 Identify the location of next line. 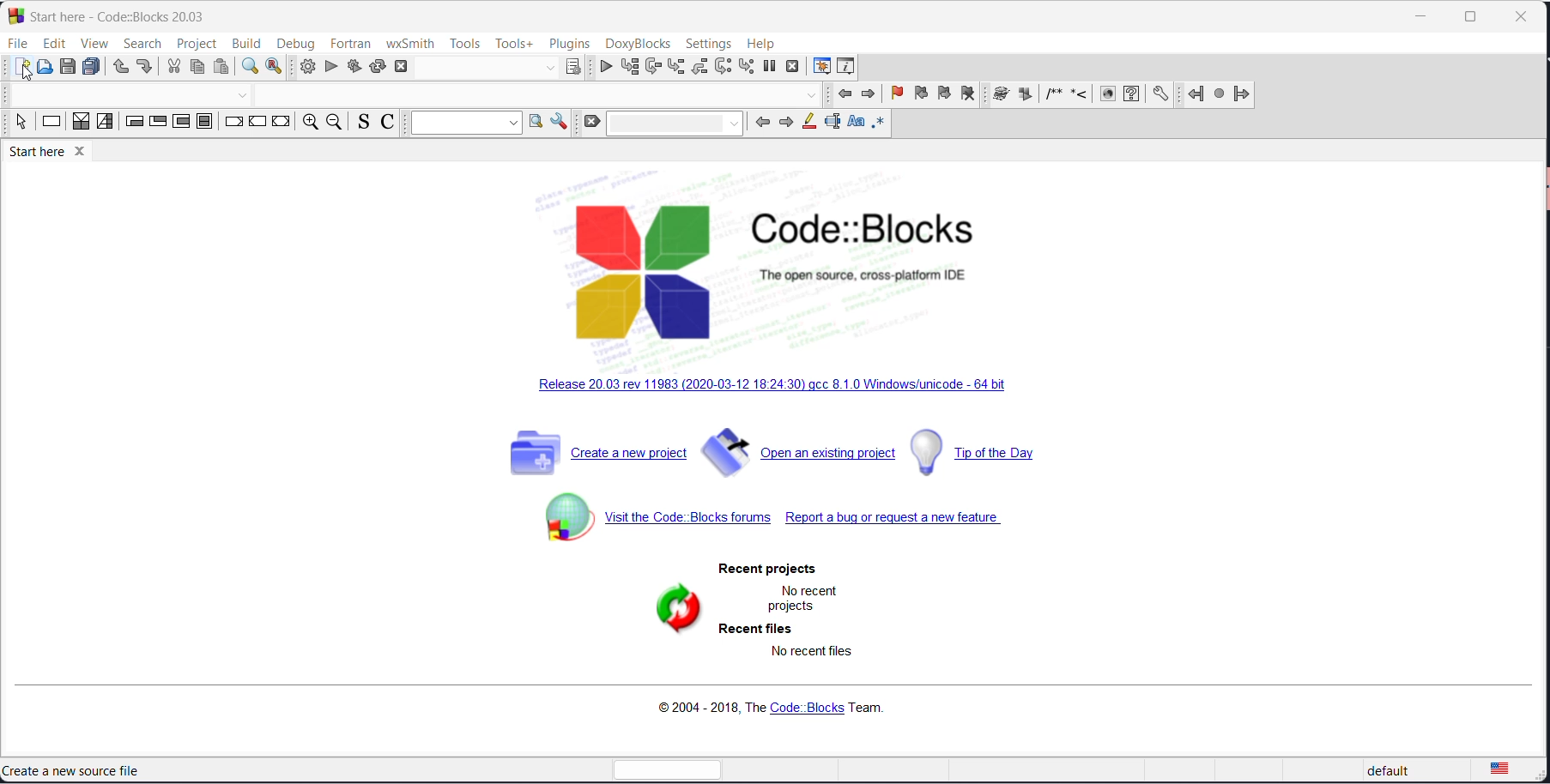
(651, 69).